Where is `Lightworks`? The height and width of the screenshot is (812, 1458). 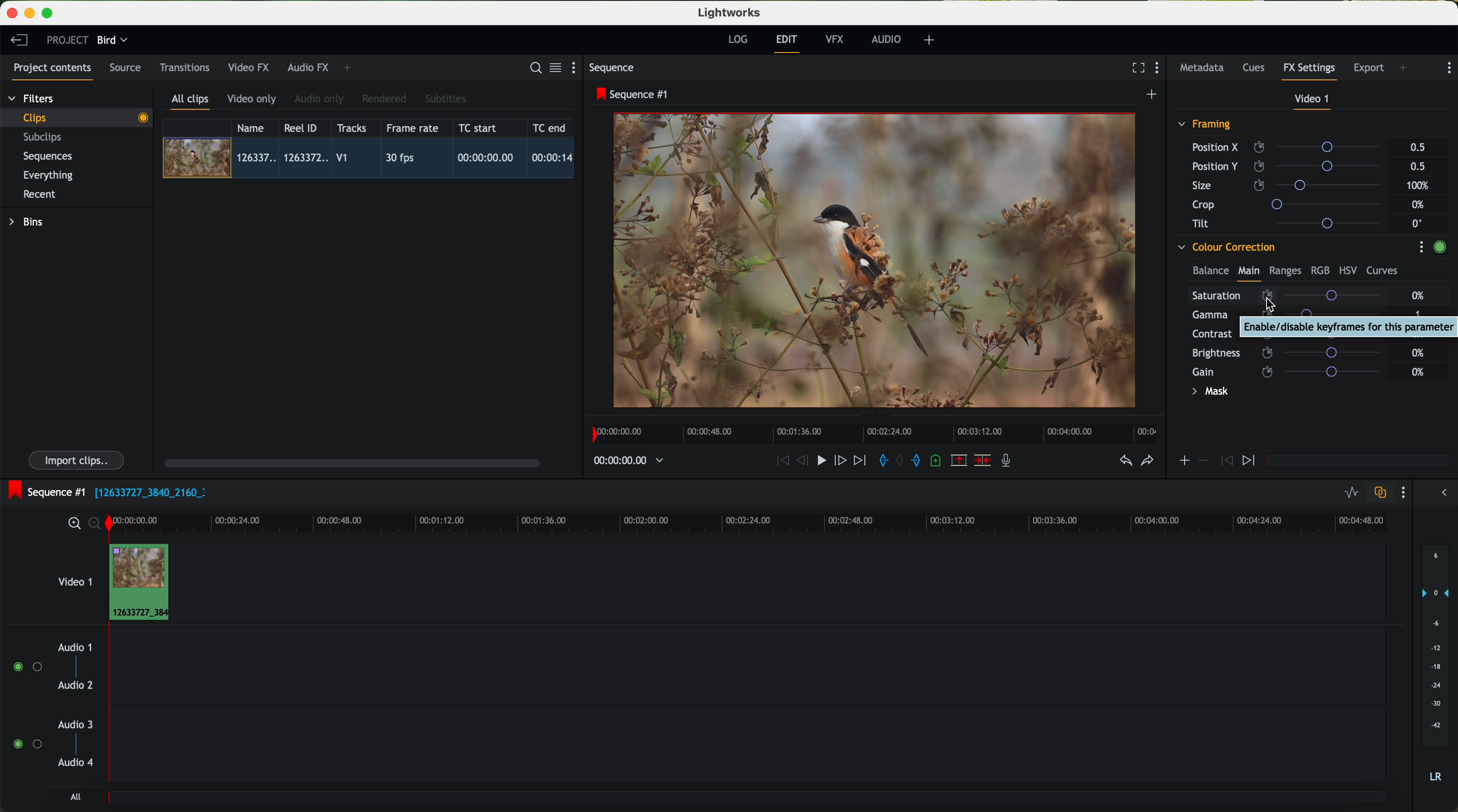
Lightworks is located at coordinates (730, 12).